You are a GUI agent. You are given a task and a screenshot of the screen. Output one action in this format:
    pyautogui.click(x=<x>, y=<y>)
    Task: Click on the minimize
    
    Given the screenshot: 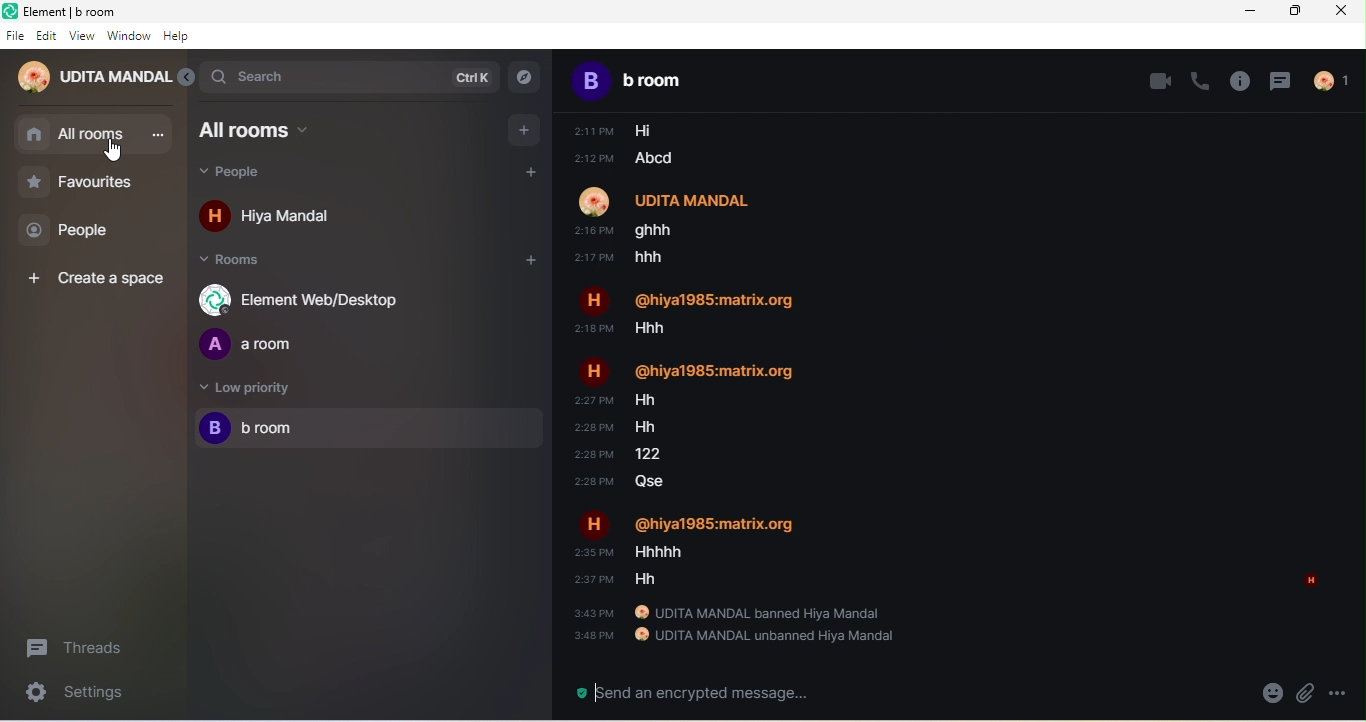 What is the action you would take?
    pyautogui.click(x=1245, y=15)
    